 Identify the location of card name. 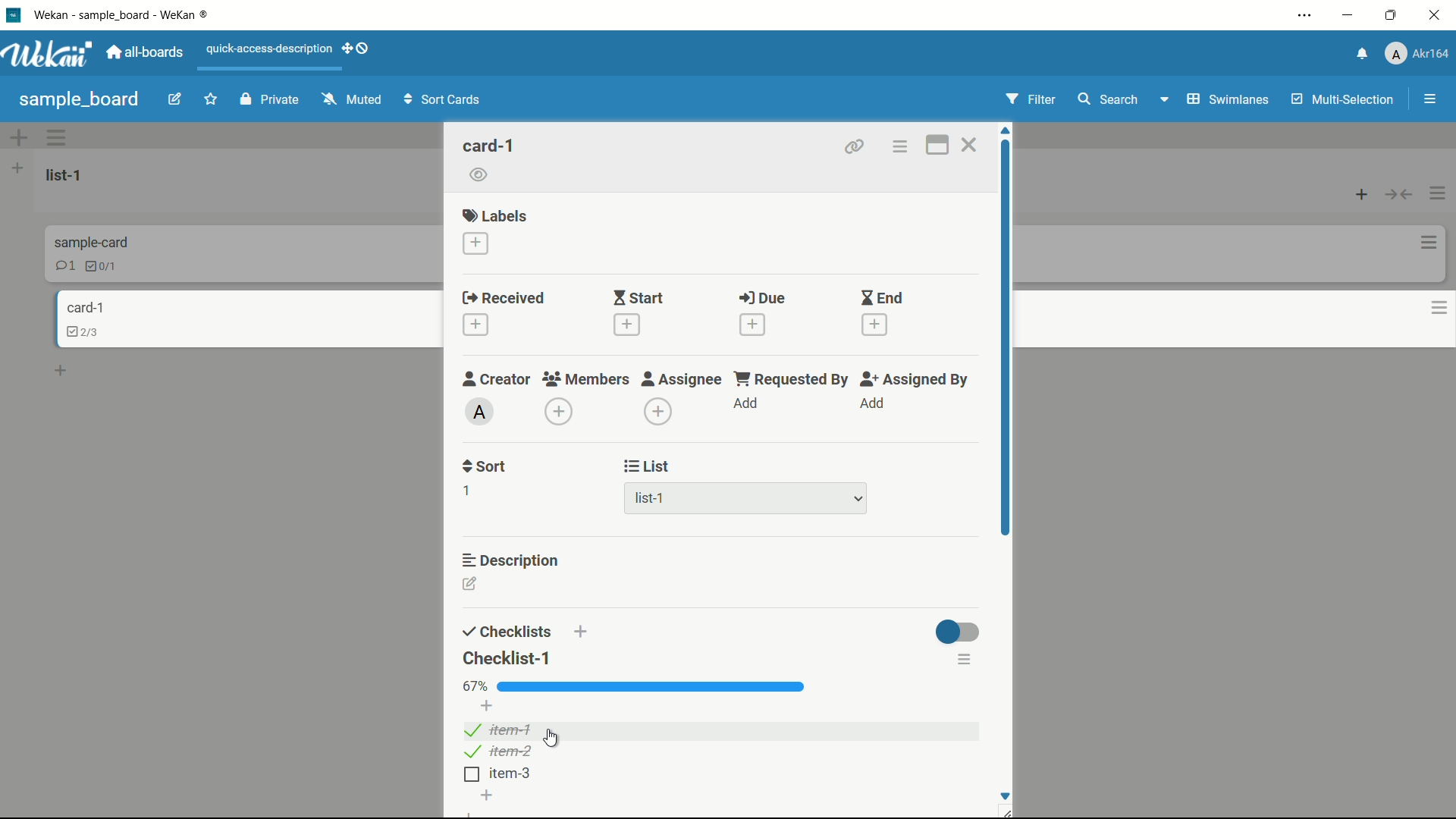
(83, 309).